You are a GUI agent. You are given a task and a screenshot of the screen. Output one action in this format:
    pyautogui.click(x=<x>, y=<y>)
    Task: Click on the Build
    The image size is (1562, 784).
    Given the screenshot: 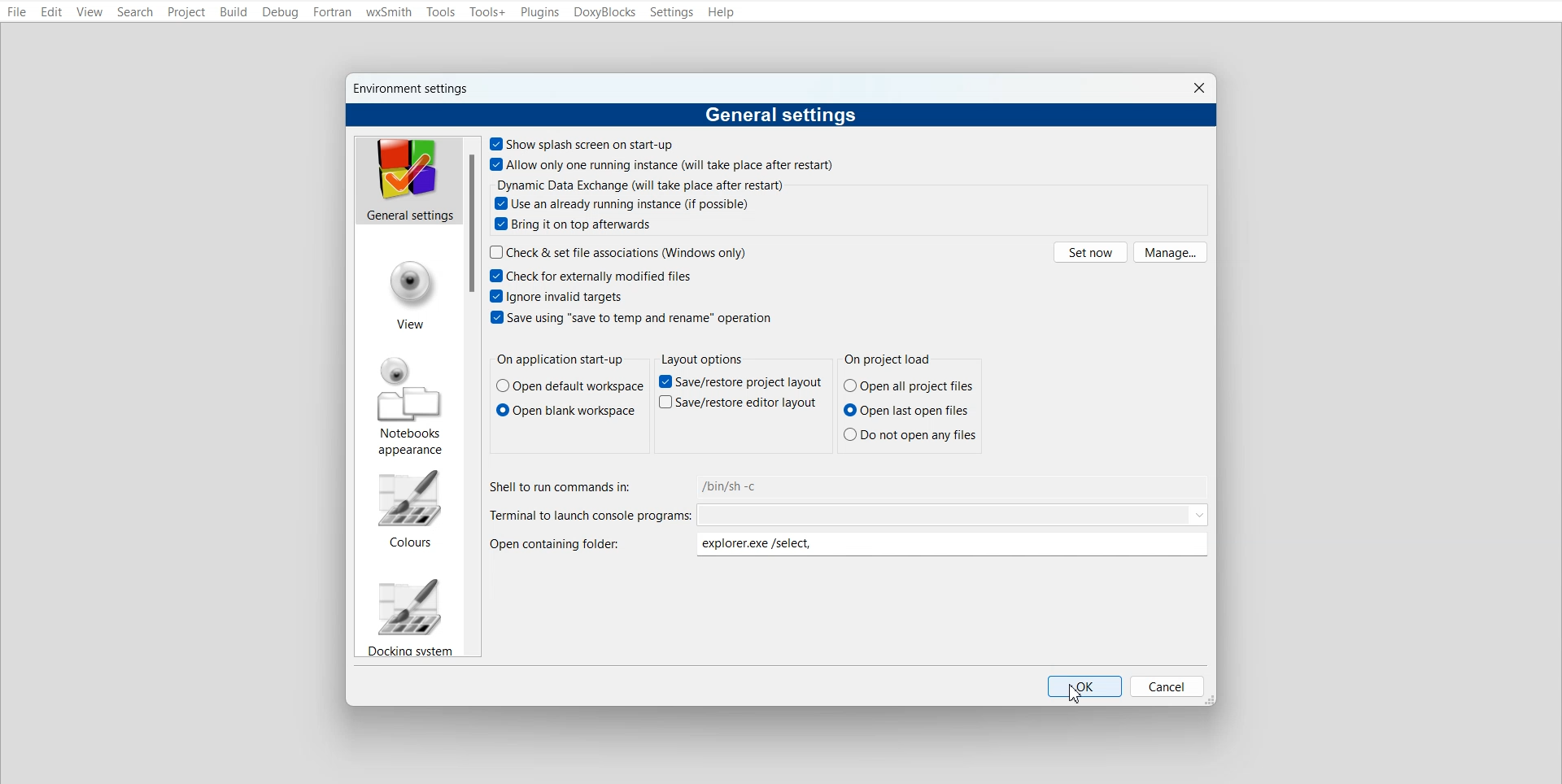 What is the action you would take?
    pyautogui.click(x=233, y=11)
    